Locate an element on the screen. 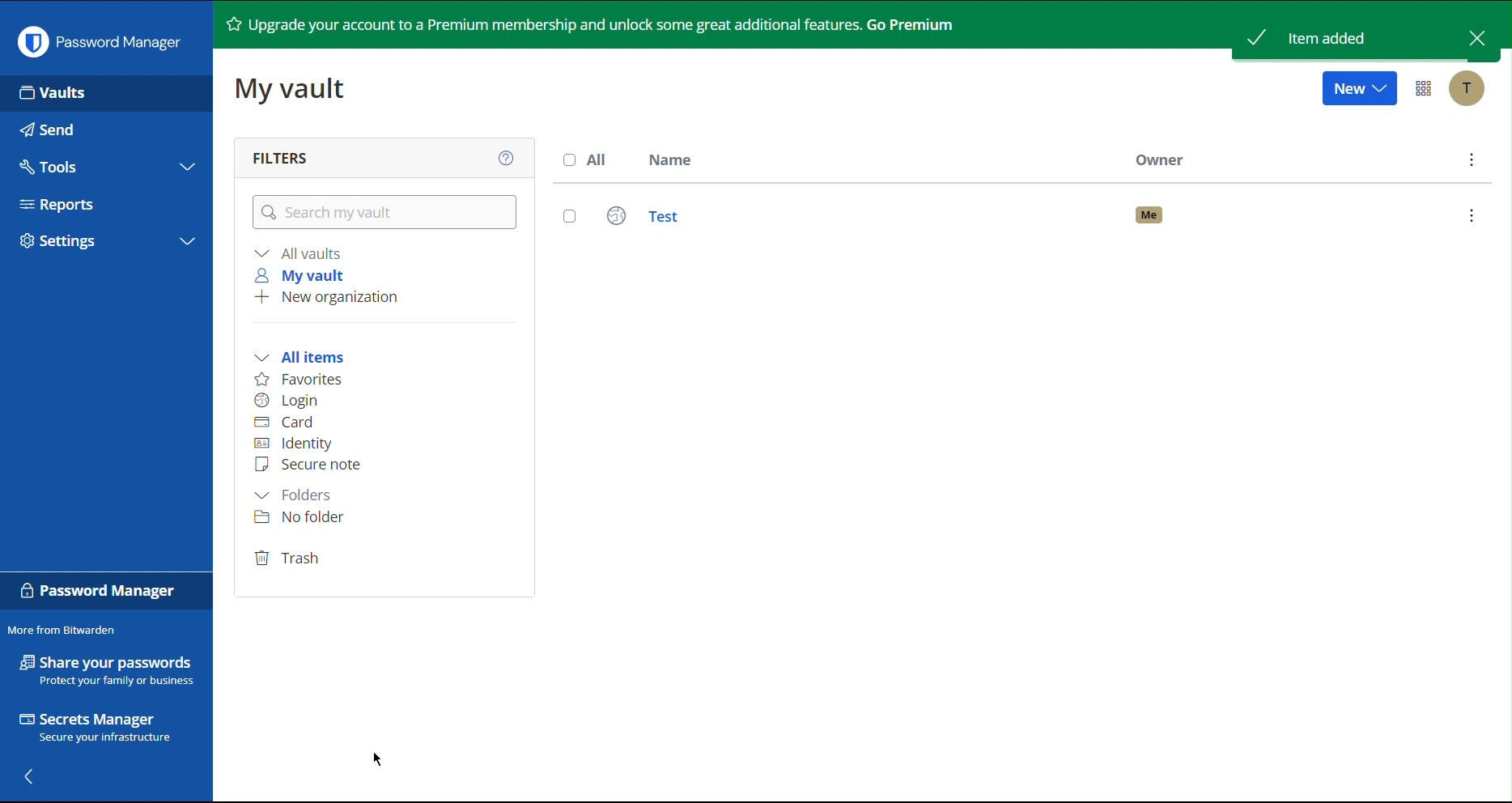  Card is located at coordinates (284, 422).